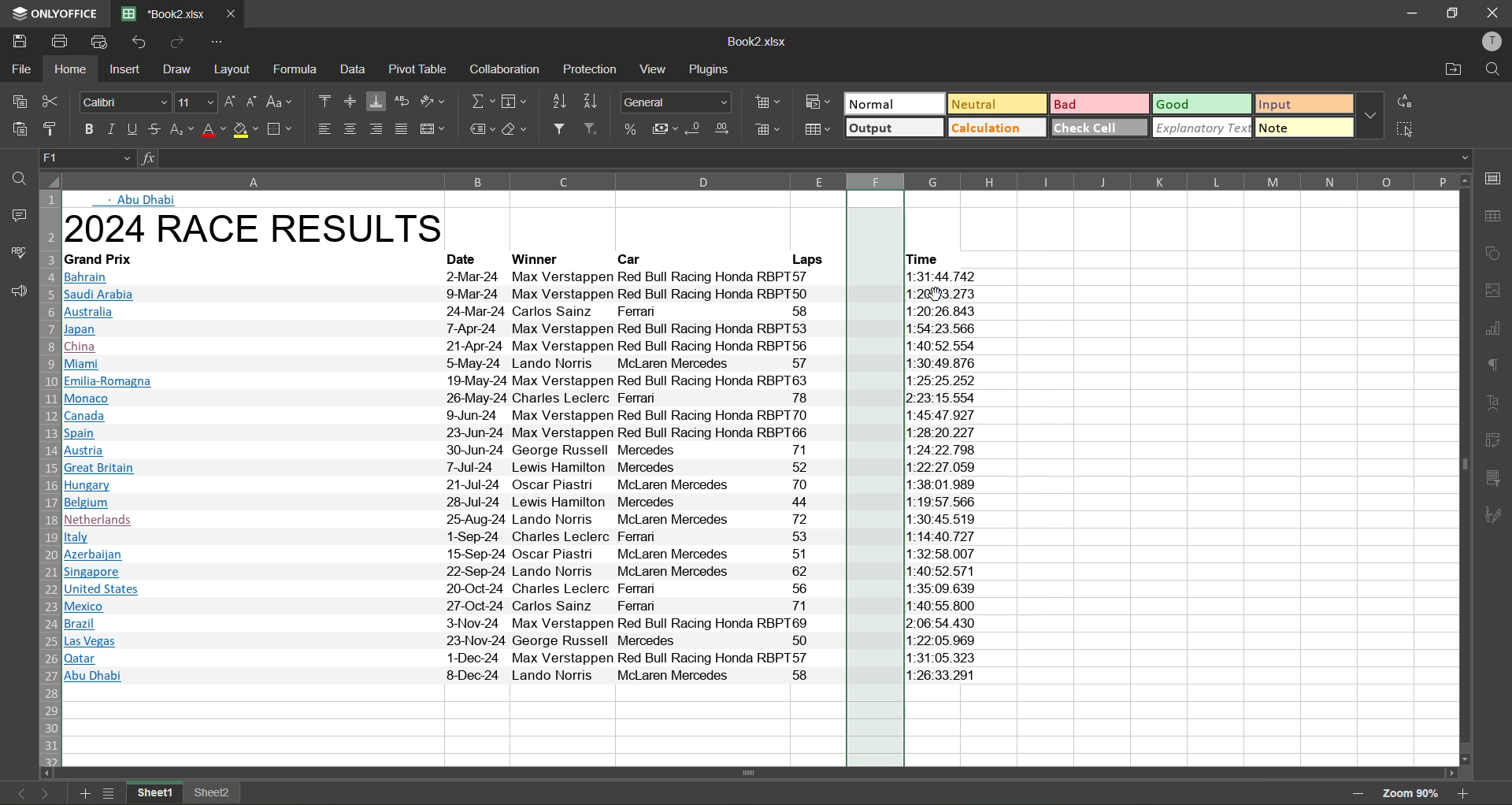  I want to click on increment size, so click(232, 102).